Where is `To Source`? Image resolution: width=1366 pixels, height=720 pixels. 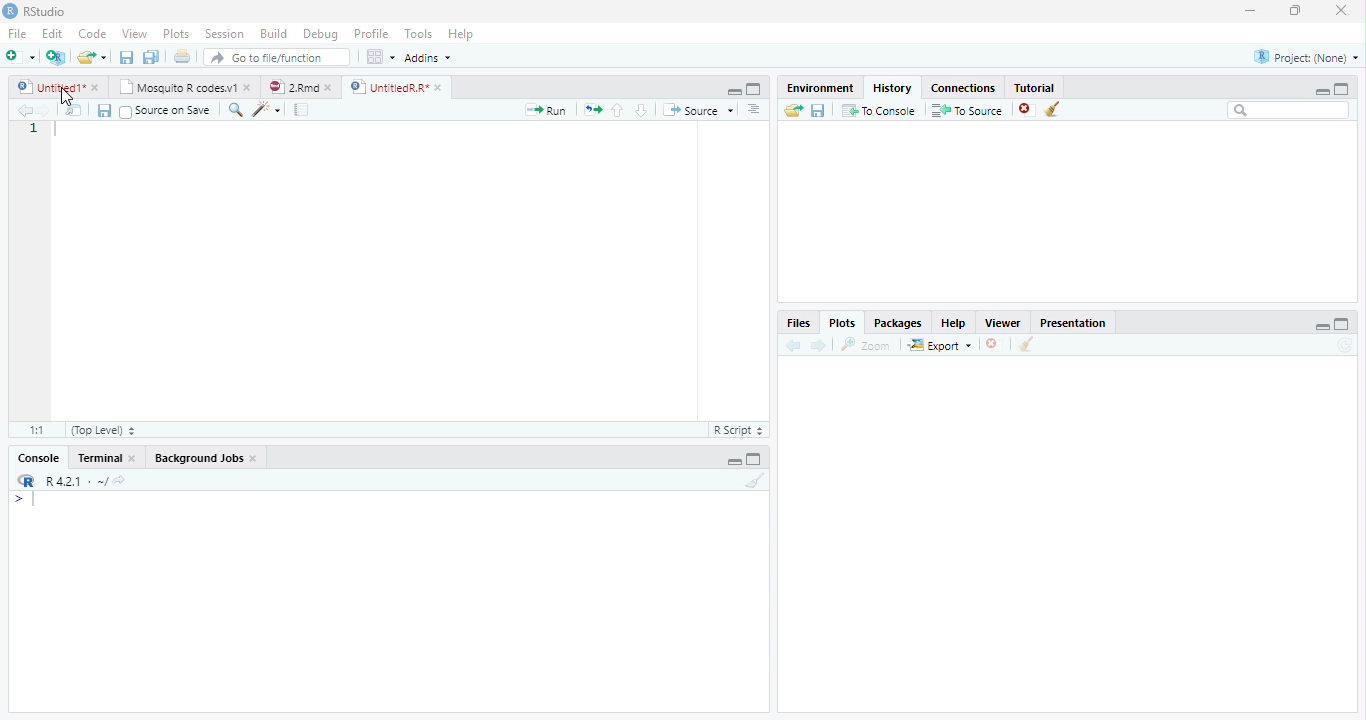
To Source is located at coordinates (966, 111).